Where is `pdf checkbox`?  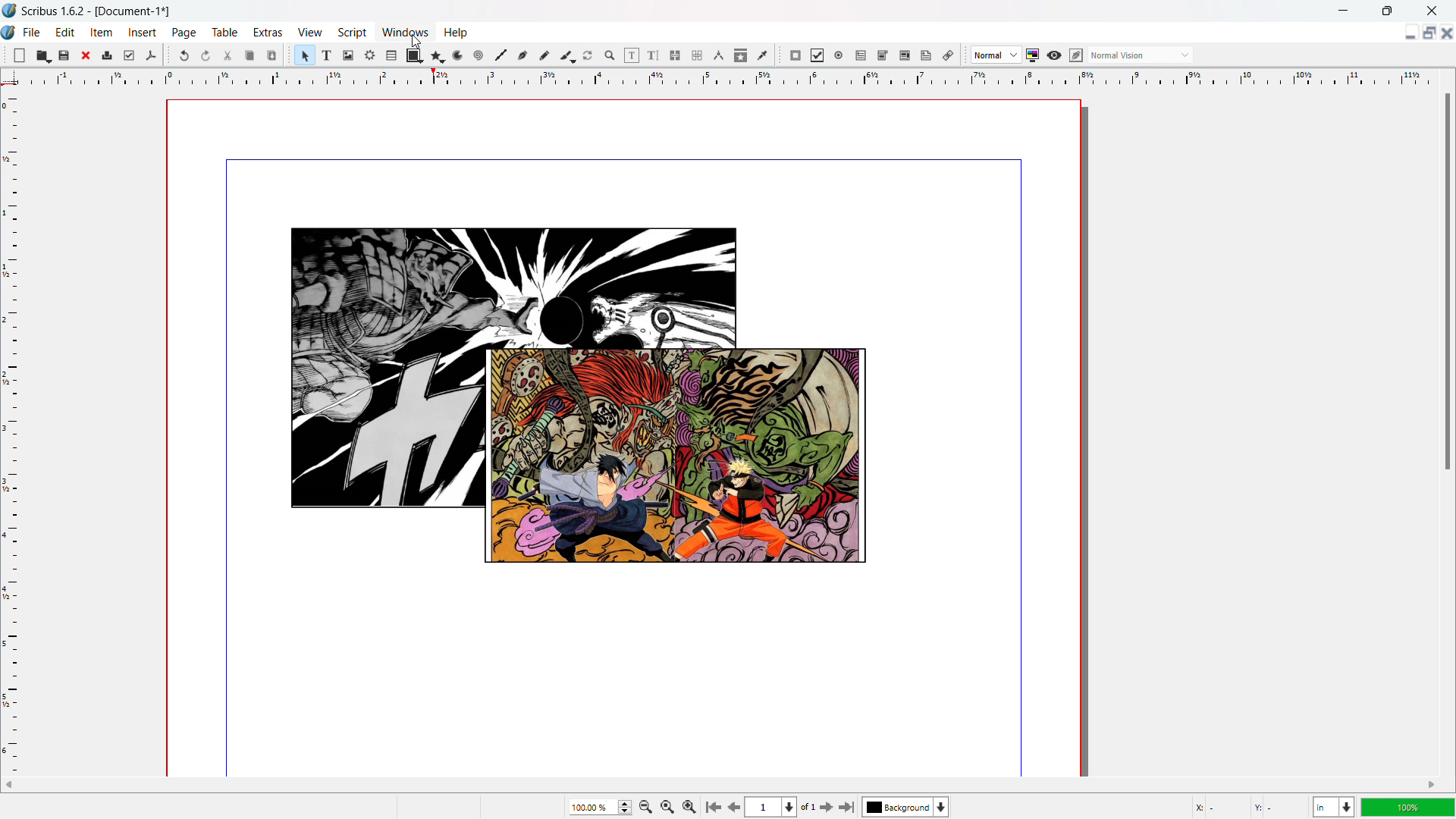 pdf checkbox is located at coordinates (817, 55).